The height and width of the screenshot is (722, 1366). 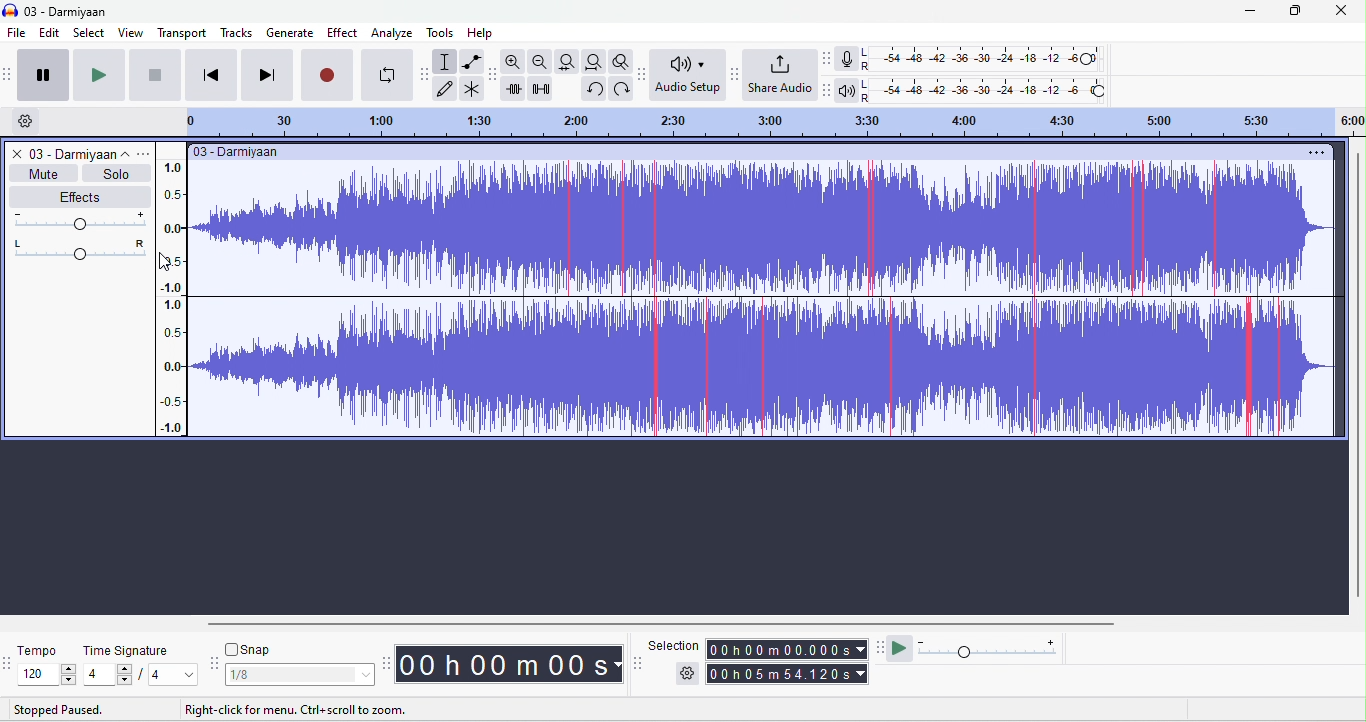 What do you see at coordinates (516, 89) in the screenshot?
I see `trim outside selection` at bounding box center [516, 89].